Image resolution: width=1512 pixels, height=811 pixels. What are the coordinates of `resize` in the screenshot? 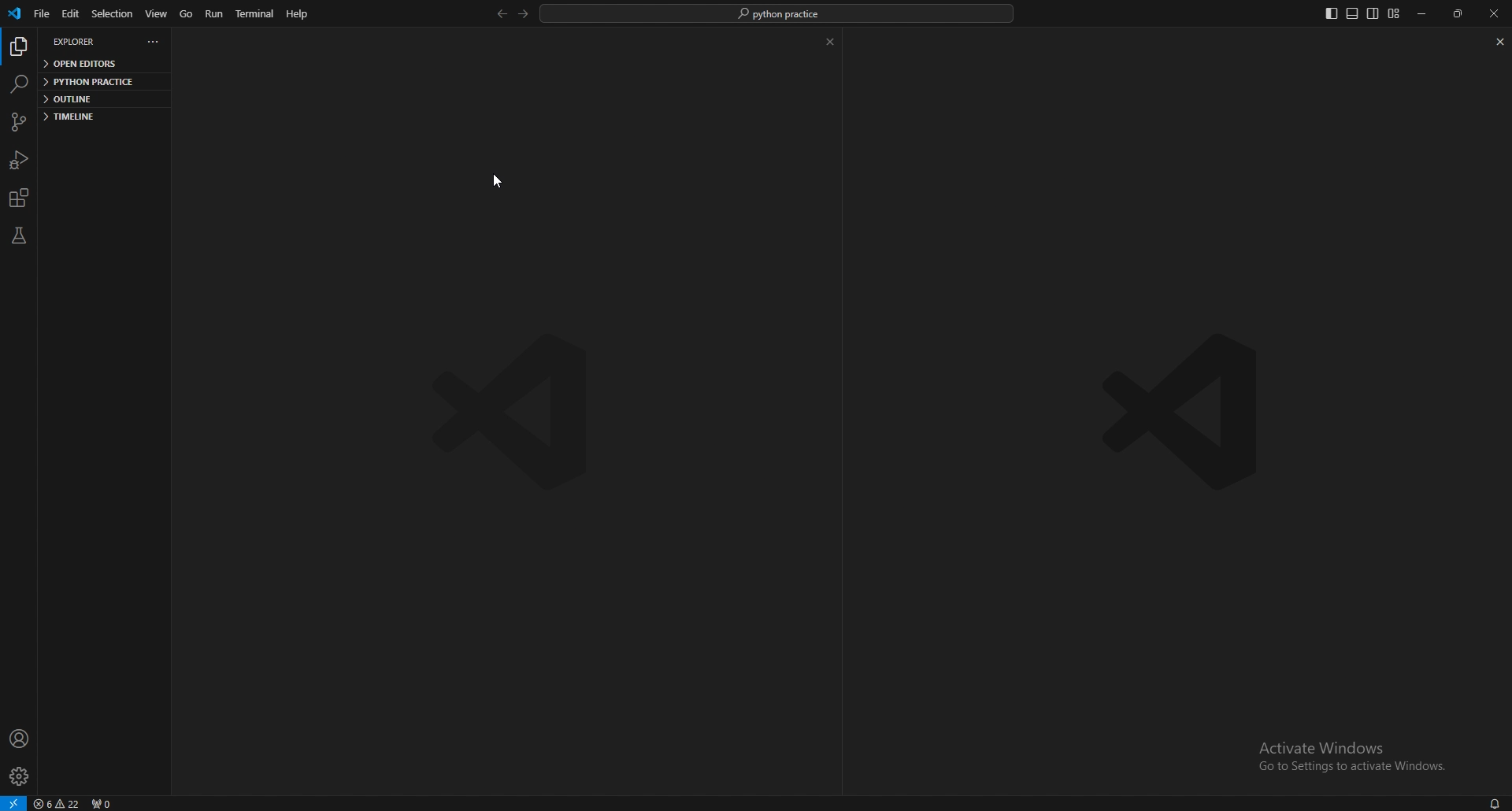 It's located at (1457, 14).